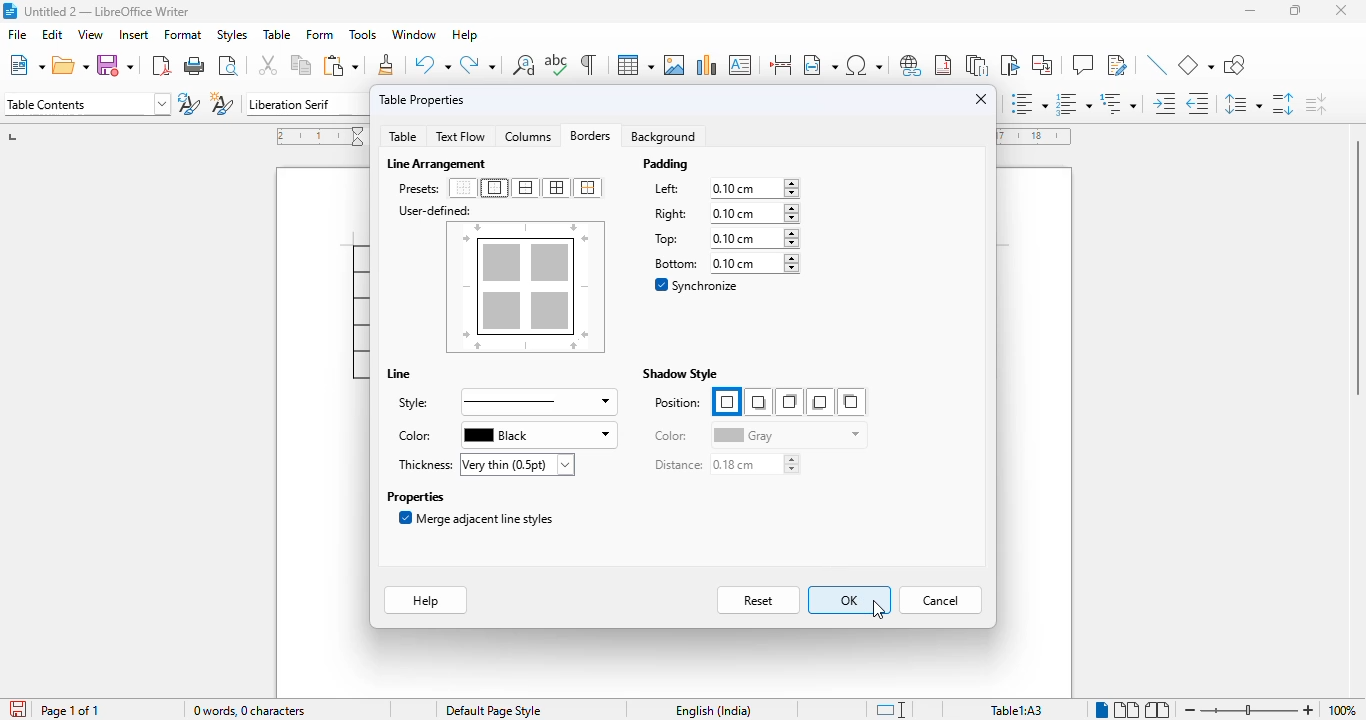  Describe the element at coordinates (189, 103) in the screenshot. I see `update new selection` at that location.